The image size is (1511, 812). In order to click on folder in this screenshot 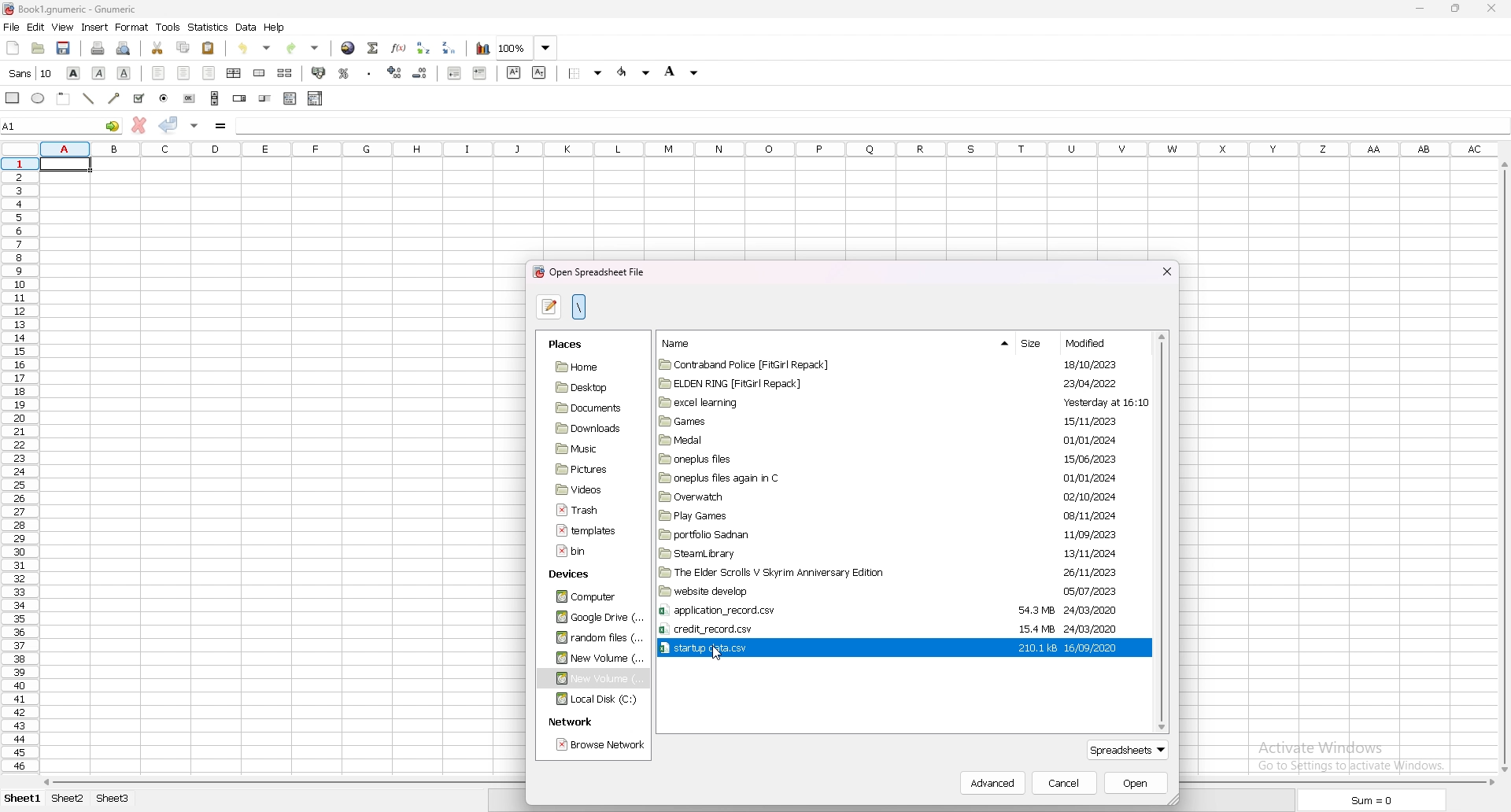, I will do `click(595, 699)`.